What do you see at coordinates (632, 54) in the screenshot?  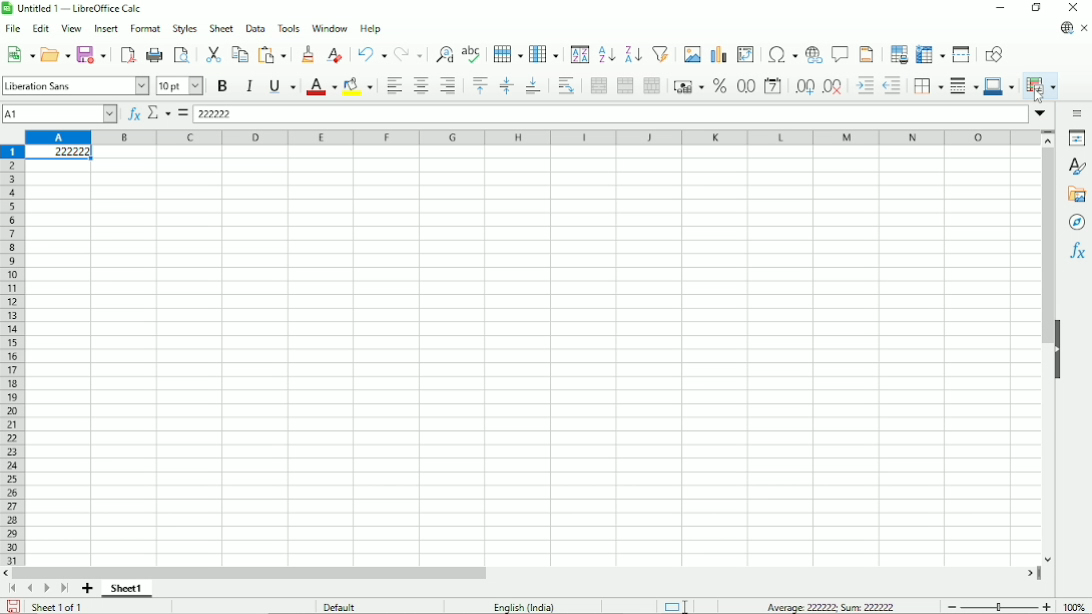 I see `Sort descending` at bounding box center [632, 54].